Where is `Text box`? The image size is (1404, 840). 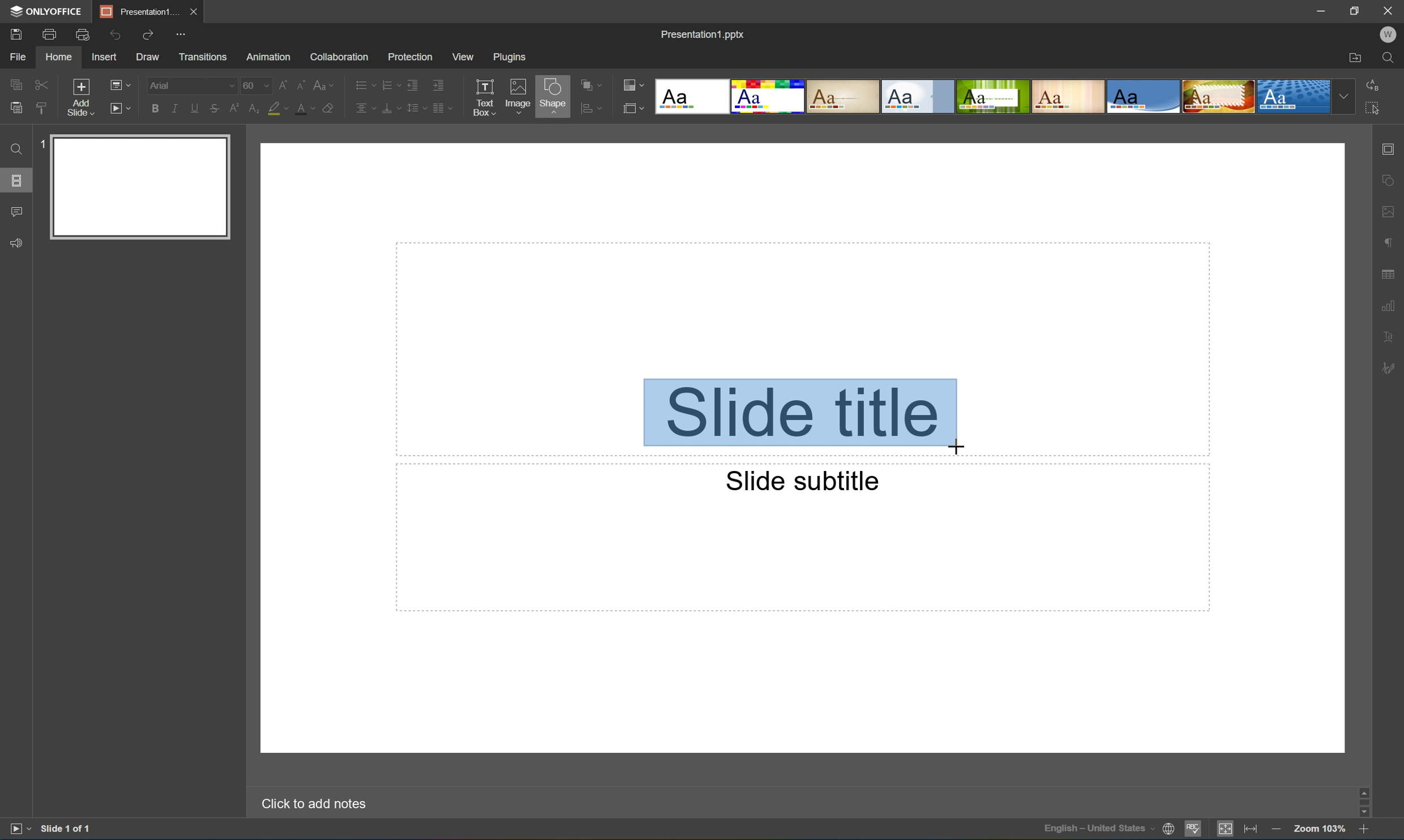
Text box is located at coordinates (485, 97).